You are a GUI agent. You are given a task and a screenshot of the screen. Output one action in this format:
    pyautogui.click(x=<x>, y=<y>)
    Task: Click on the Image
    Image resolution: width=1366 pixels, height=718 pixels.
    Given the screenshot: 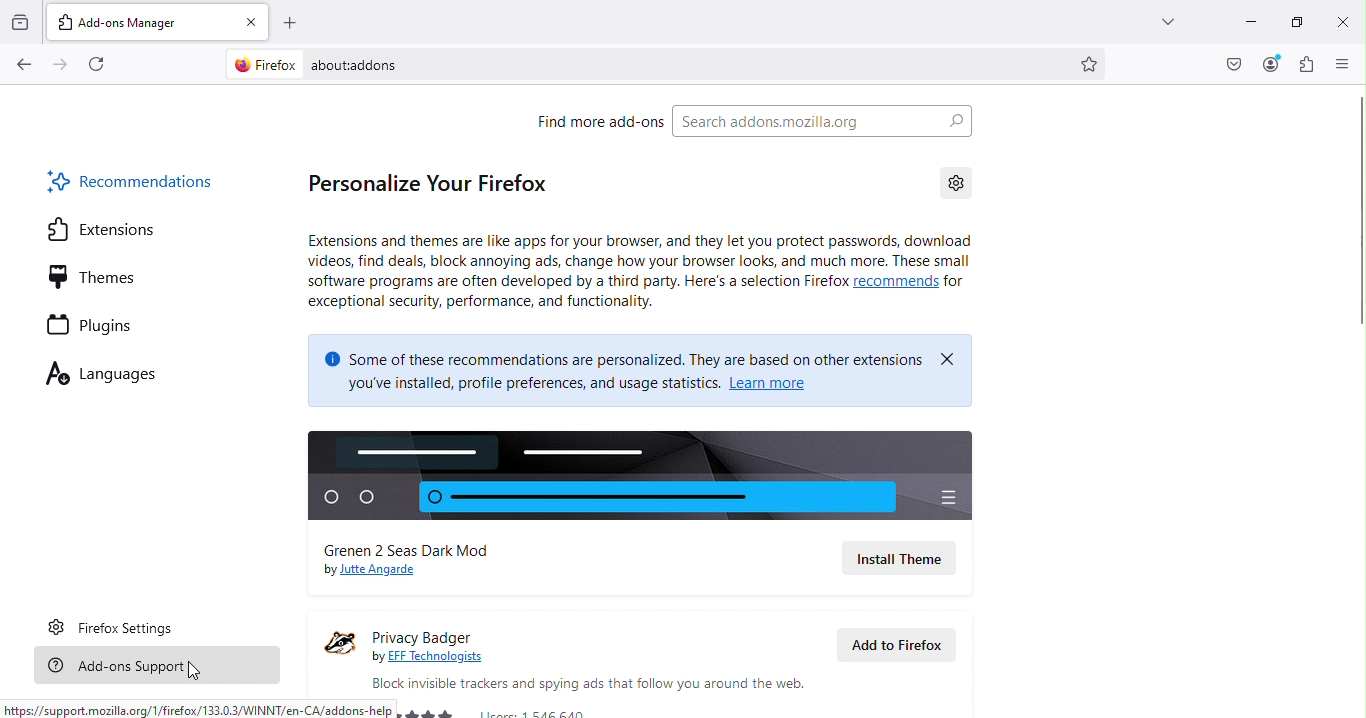 What is the action you would take?
    pyautogui.click(x=639, y=476)
    